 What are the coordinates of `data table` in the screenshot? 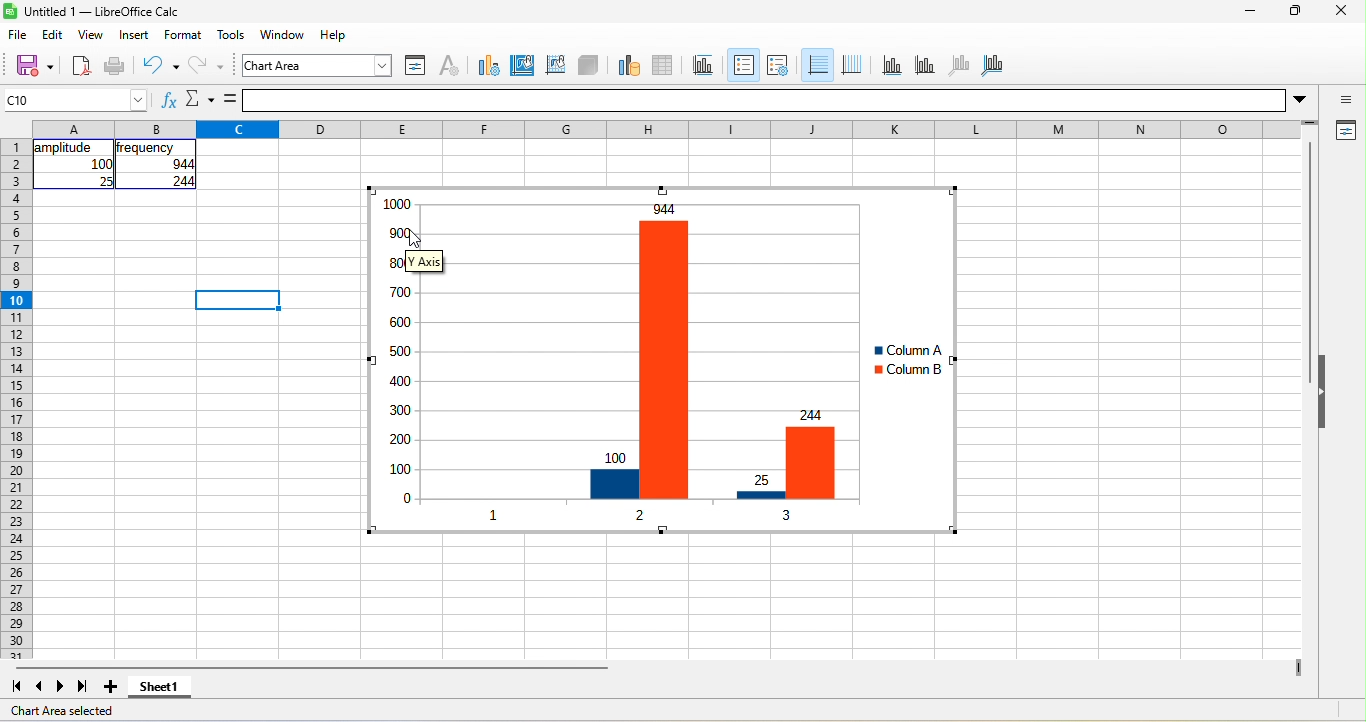 It's located at (670, 63).